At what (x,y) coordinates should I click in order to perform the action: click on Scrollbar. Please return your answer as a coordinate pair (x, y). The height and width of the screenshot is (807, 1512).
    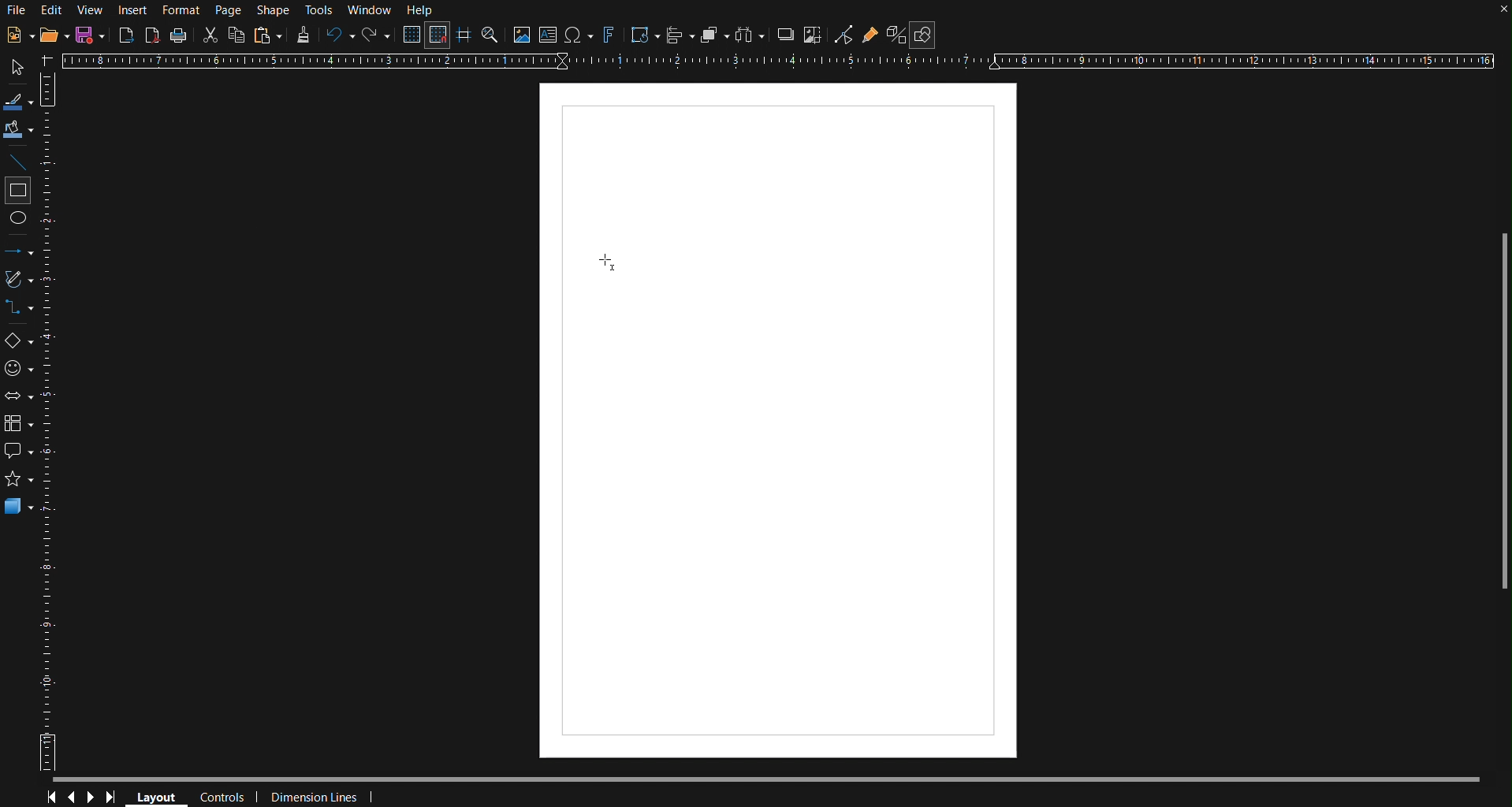
    Looking at the image, I should click on (779, 780).